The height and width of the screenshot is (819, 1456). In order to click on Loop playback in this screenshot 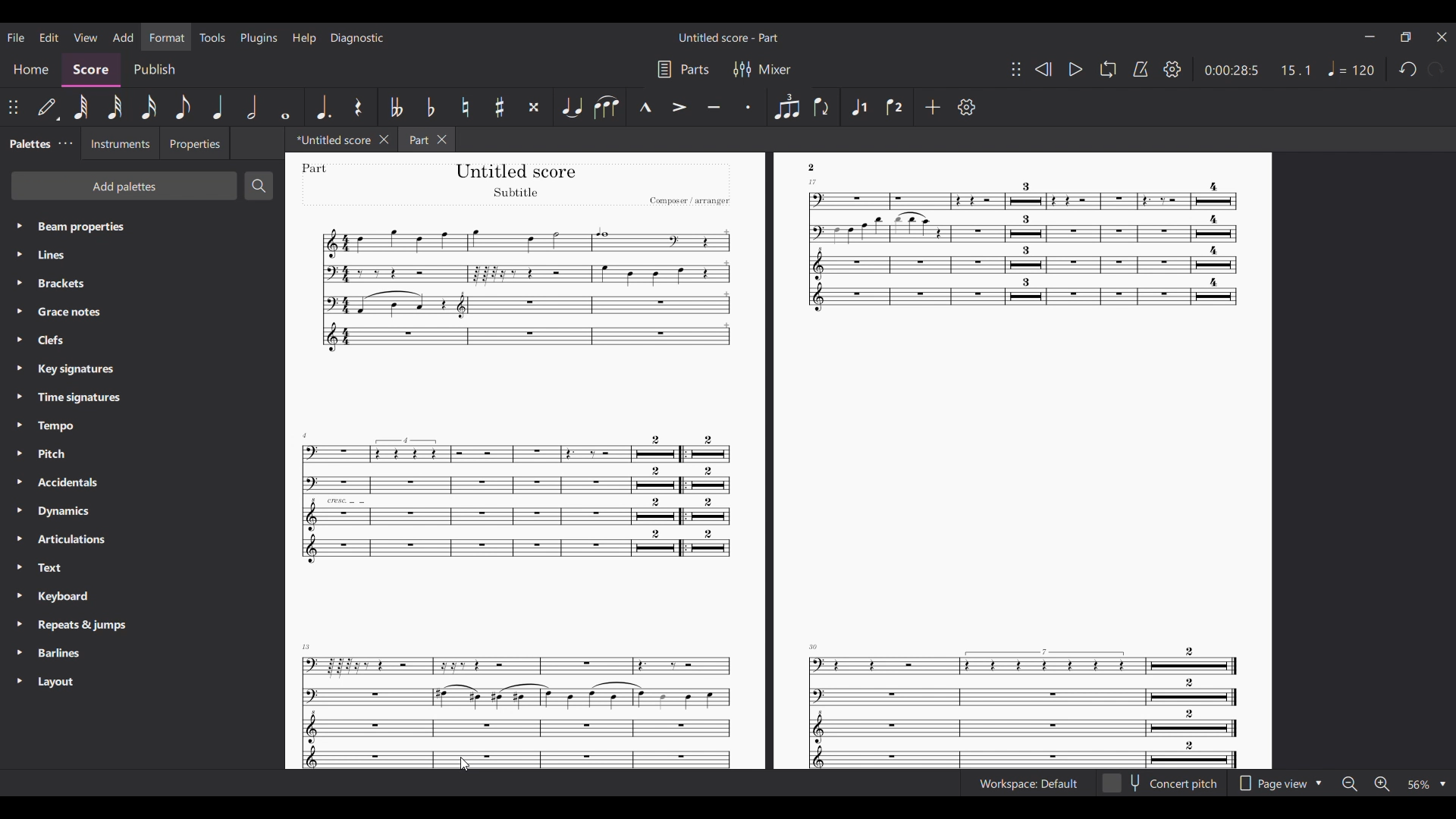, I will do `click(1108, 69)`.